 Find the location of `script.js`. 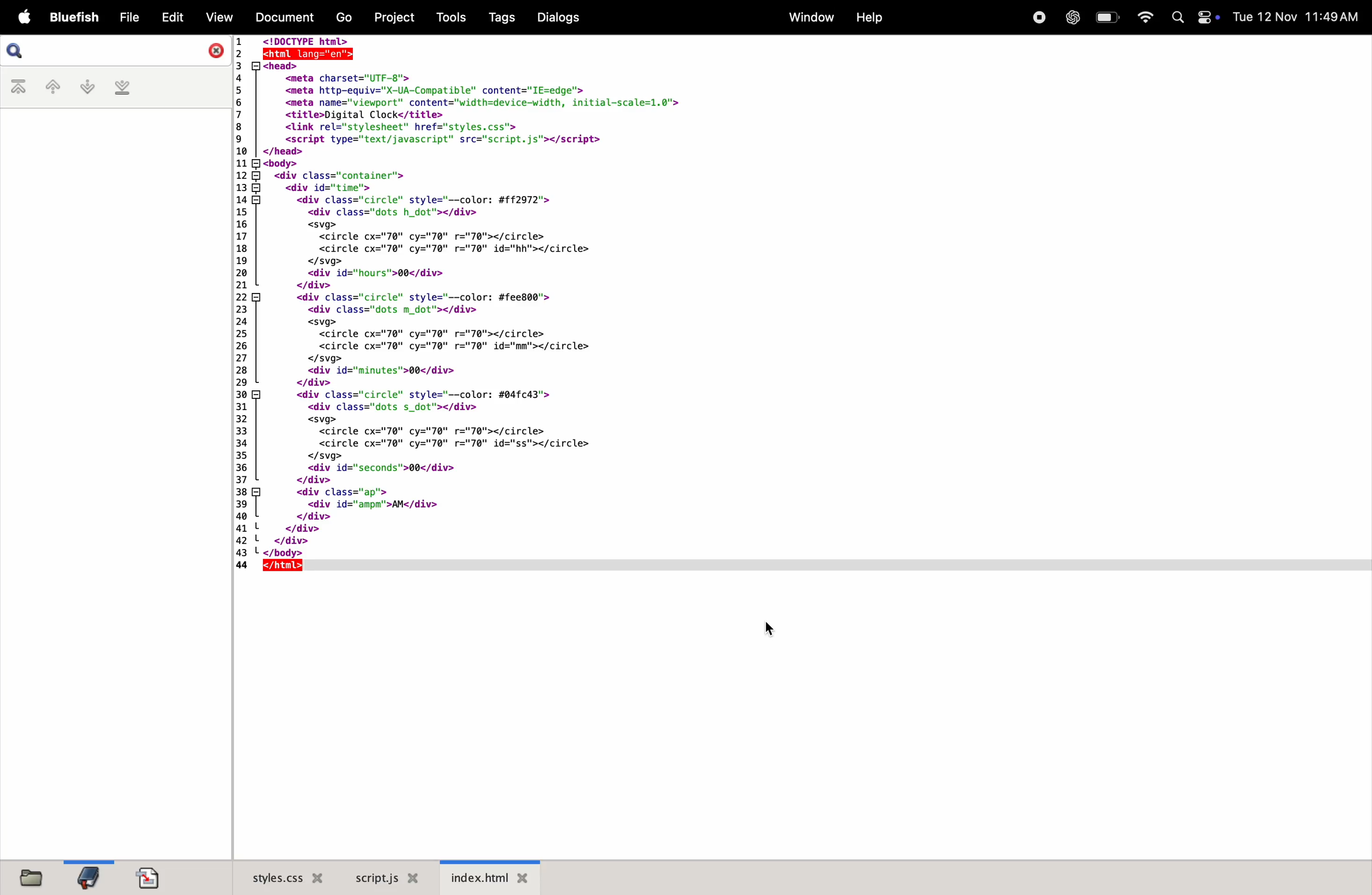

script.js is located at coordinates (387, 878).